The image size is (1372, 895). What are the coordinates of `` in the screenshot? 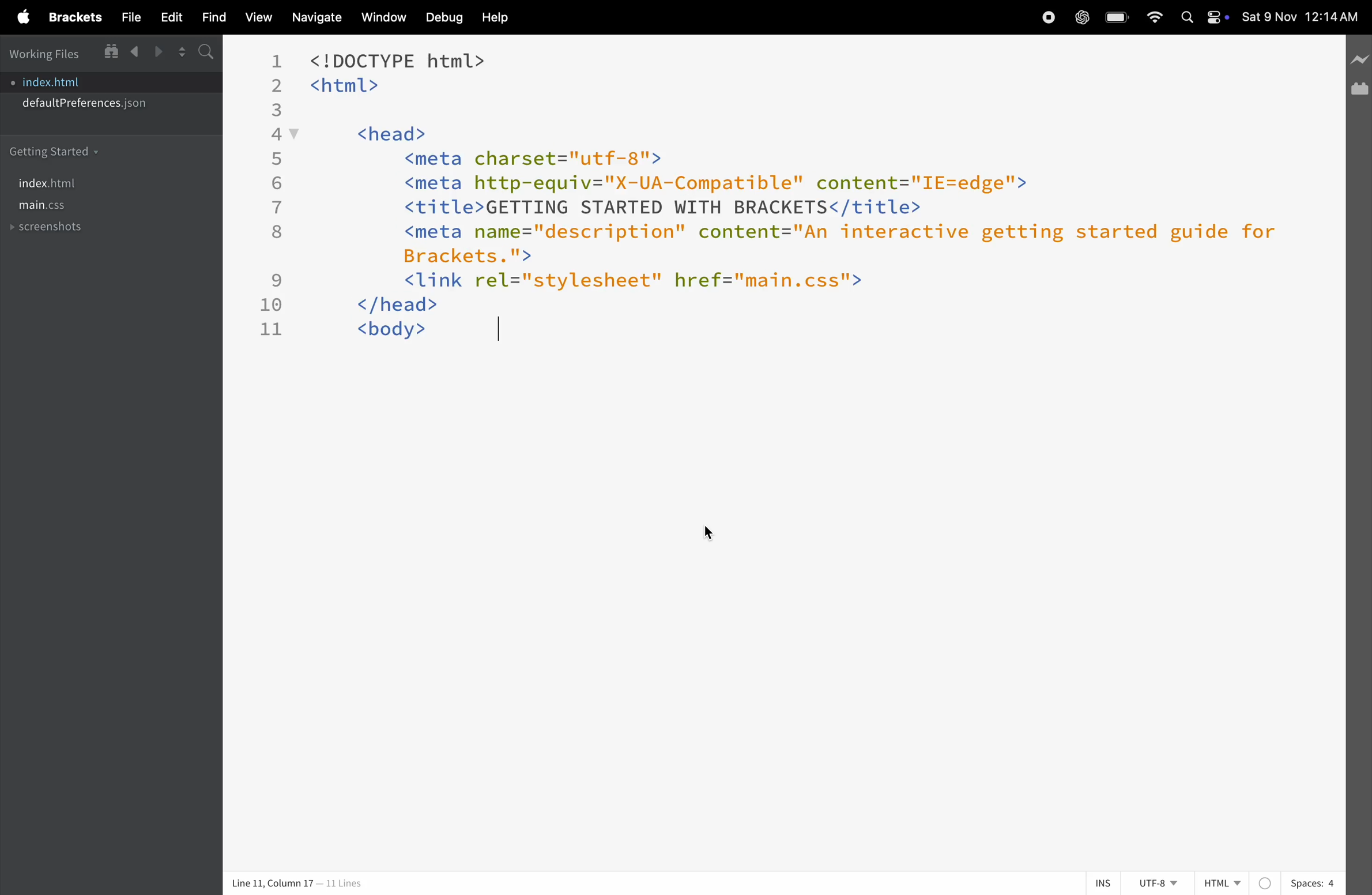 It's located at (73, 20).